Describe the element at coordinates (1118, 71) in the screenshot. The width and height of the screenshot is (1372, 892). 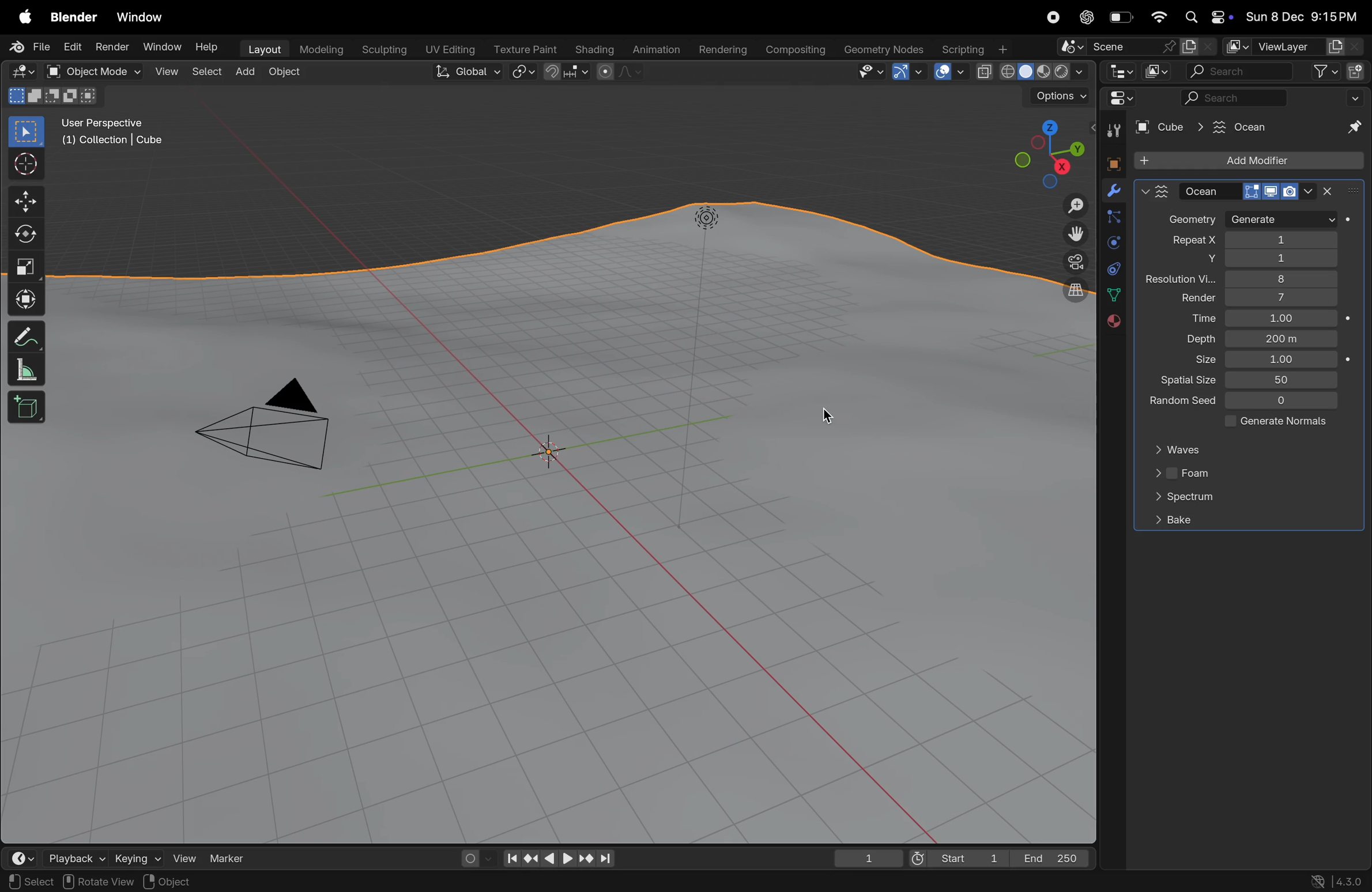
I see `editor type` at that location.